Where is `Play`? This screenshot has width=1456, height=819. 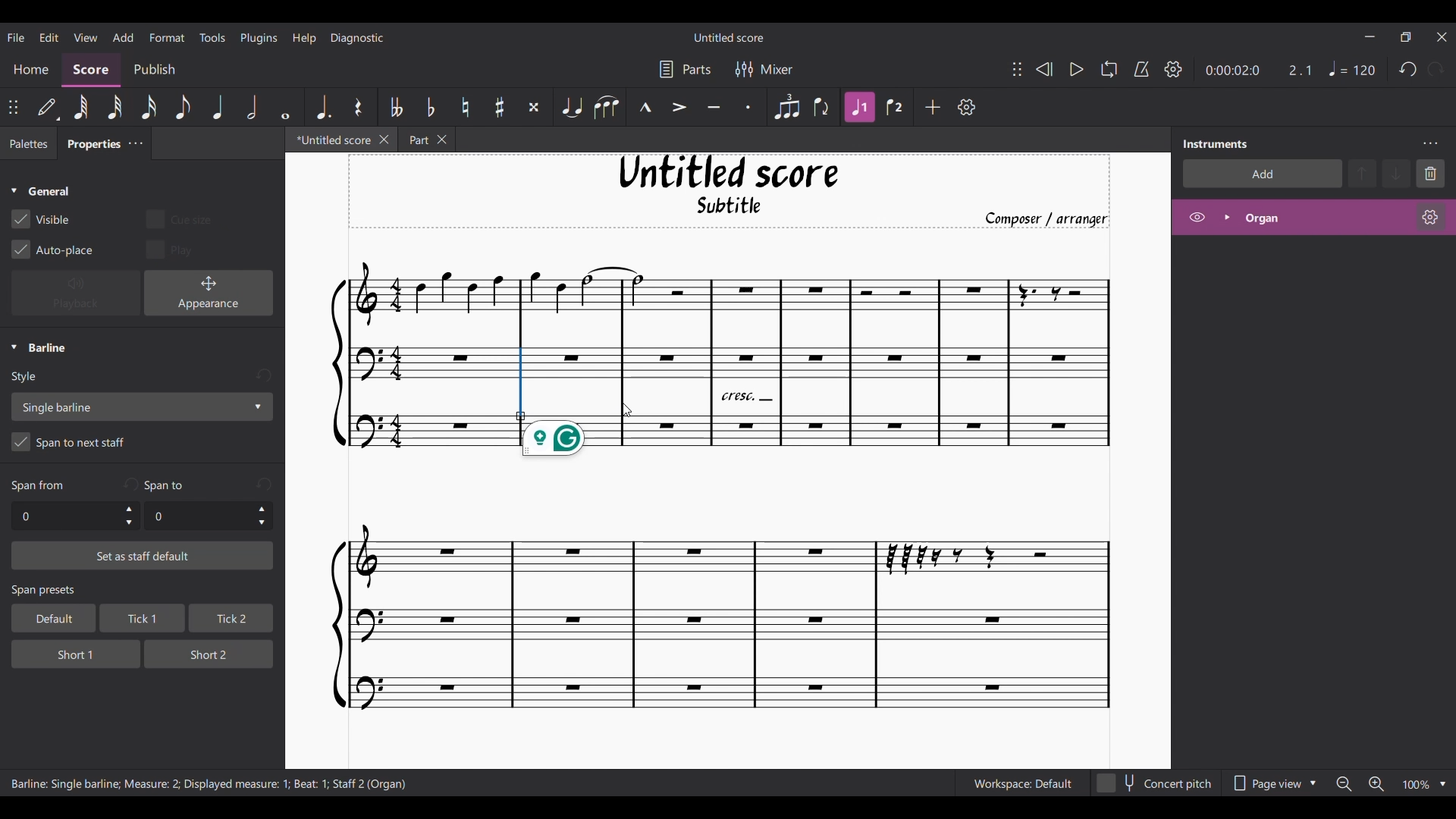 Play is located at coordinates (1076, 70).